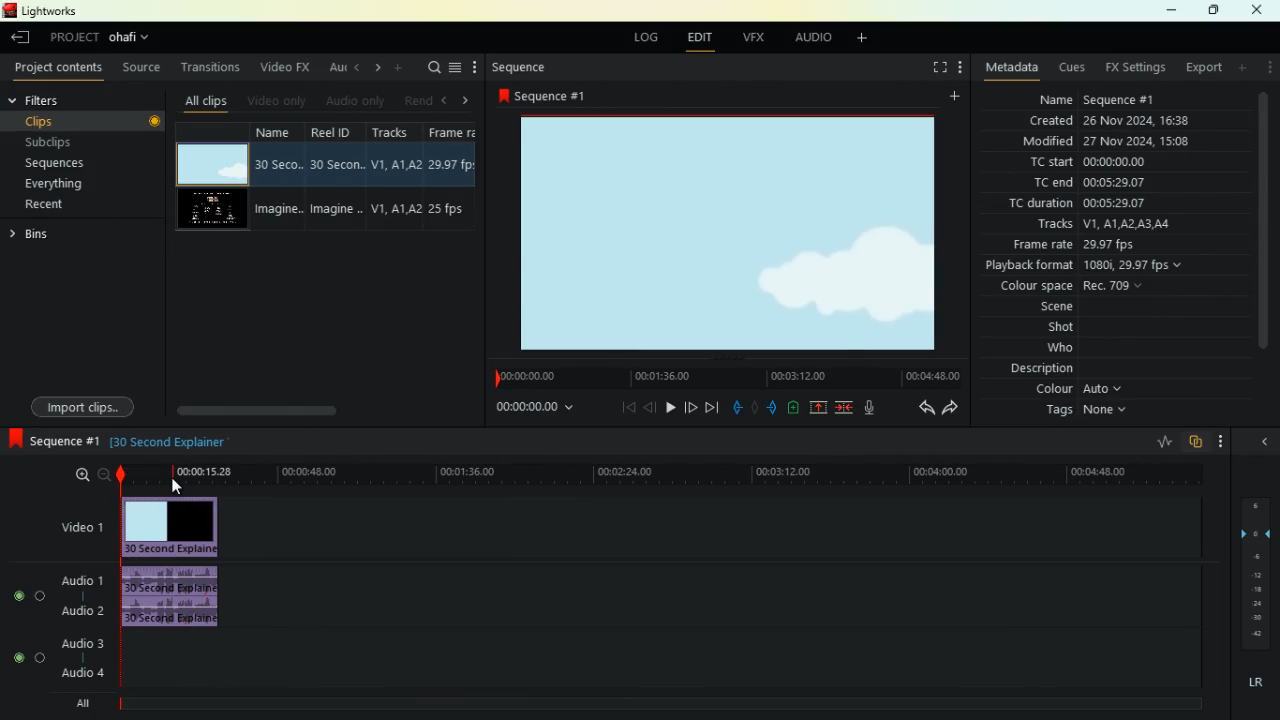  What do you see at coordinates (669, 410) in the screenshot?
I see `play` at bounding box center [669, 410].